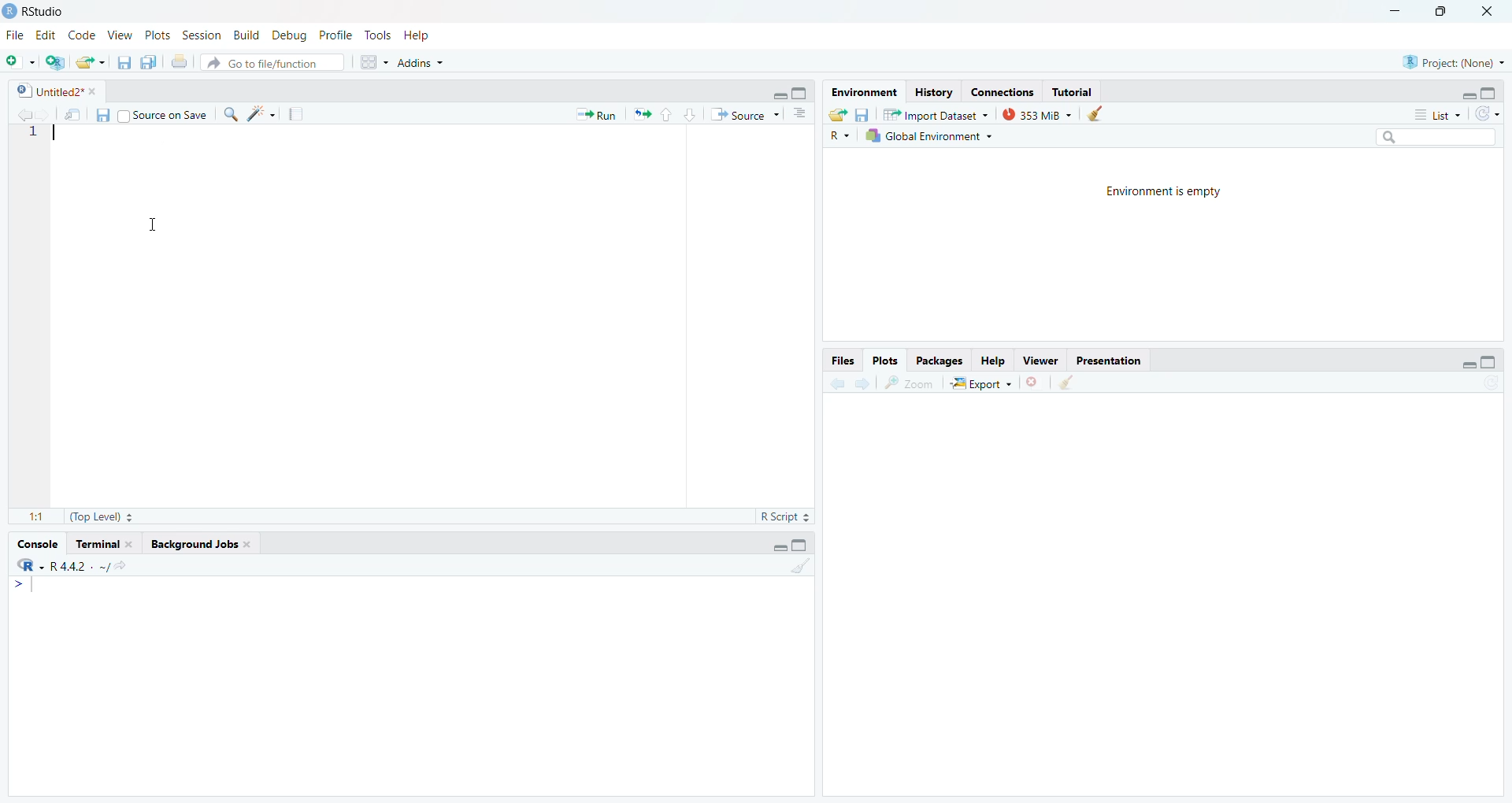 The image size is (1512, 803). What do you see at coordinates (200, 36) in the screenshot?
I see `Session` at bounding box center [200, 36].